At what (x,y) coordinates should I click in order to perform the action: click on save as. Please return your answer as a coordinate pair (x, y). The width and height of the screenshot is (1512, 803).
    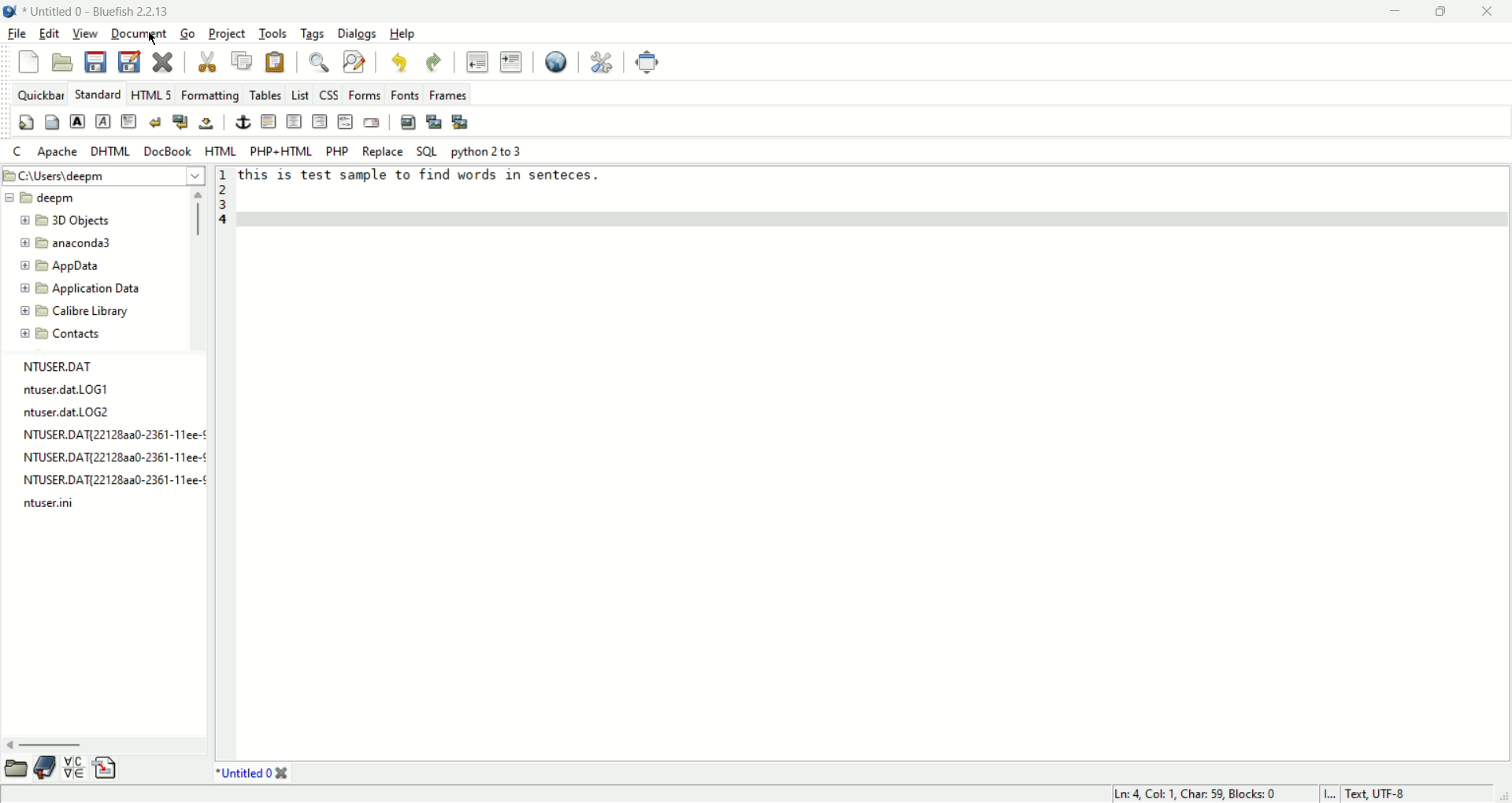
    Looking at the image, I should click on (129, 60).